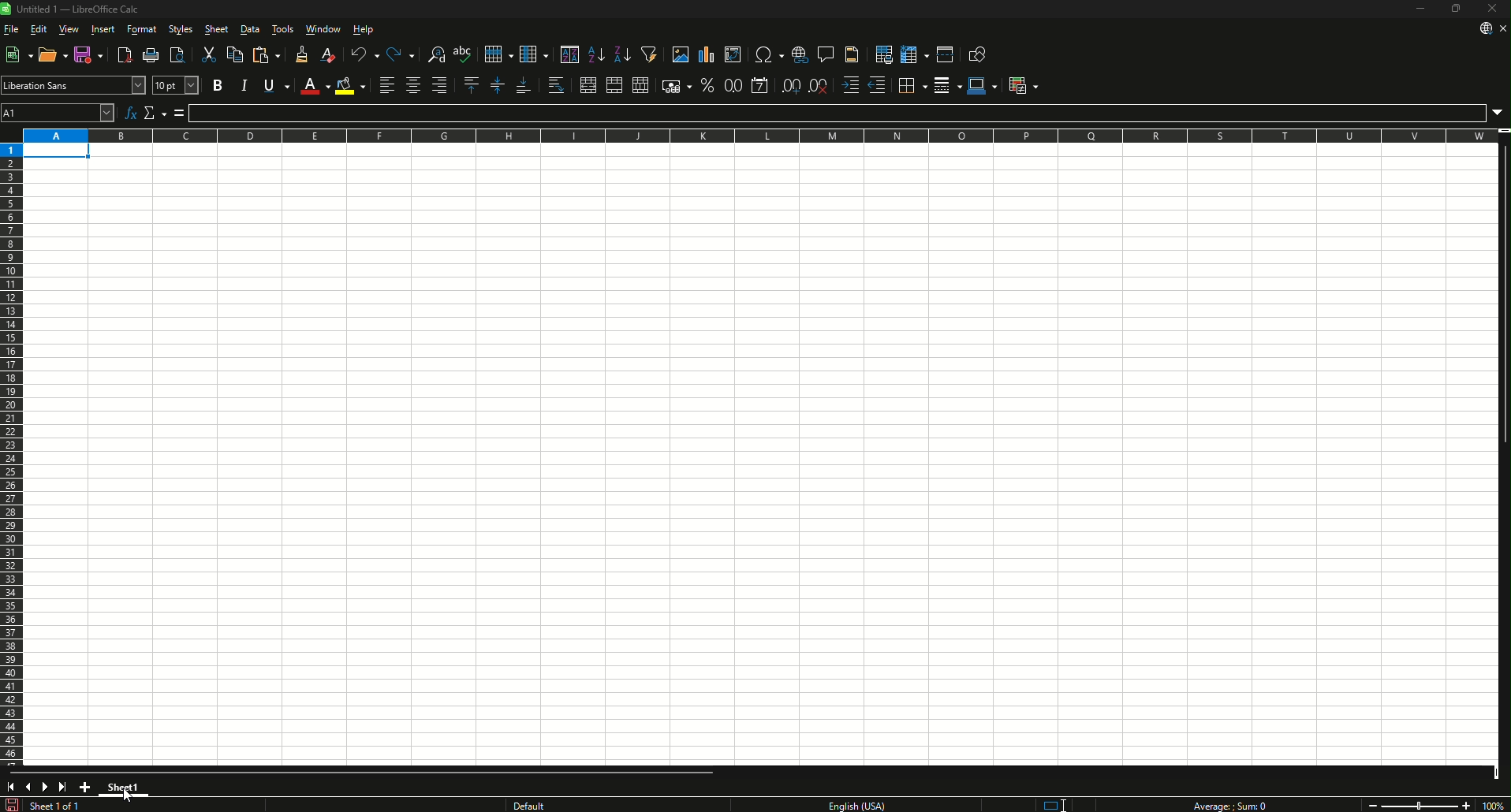 Image resolution: width=1511 pixels, height=812 pixels. I want to click on Save changes, so click(12, 804).